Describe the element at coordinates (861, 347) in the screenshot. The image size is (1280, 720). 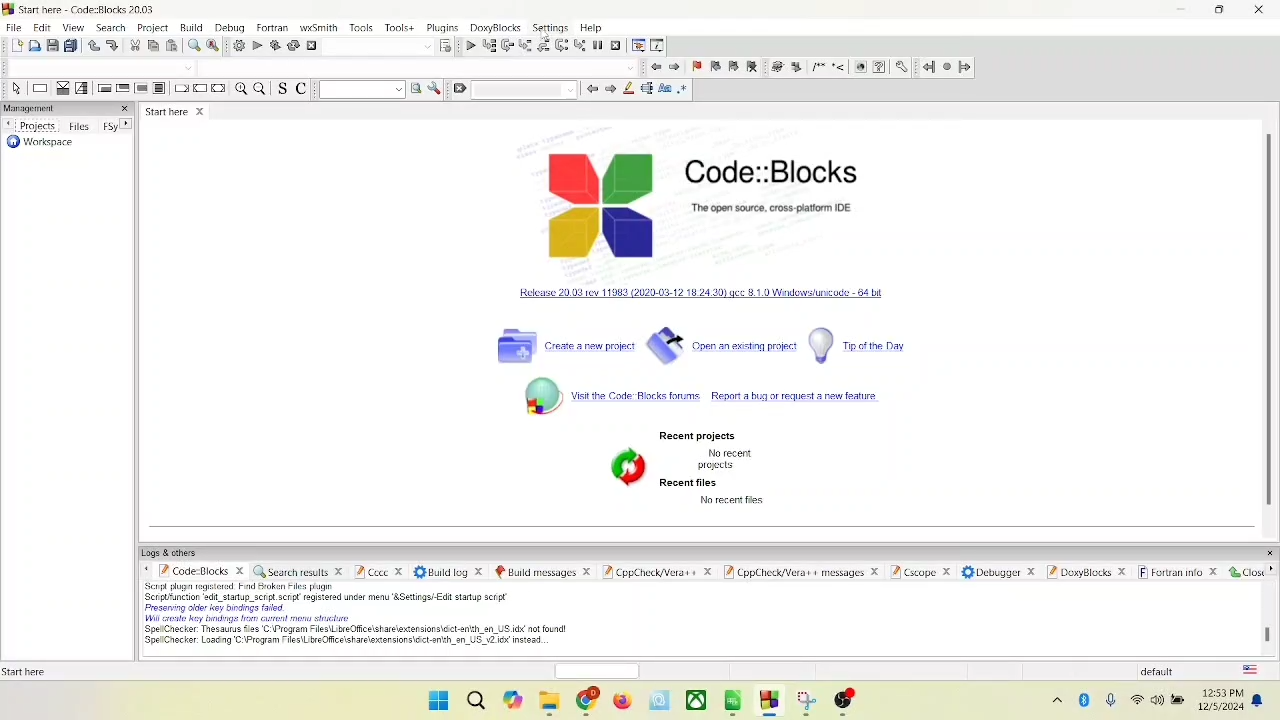
I see `tip of the day` at that location.